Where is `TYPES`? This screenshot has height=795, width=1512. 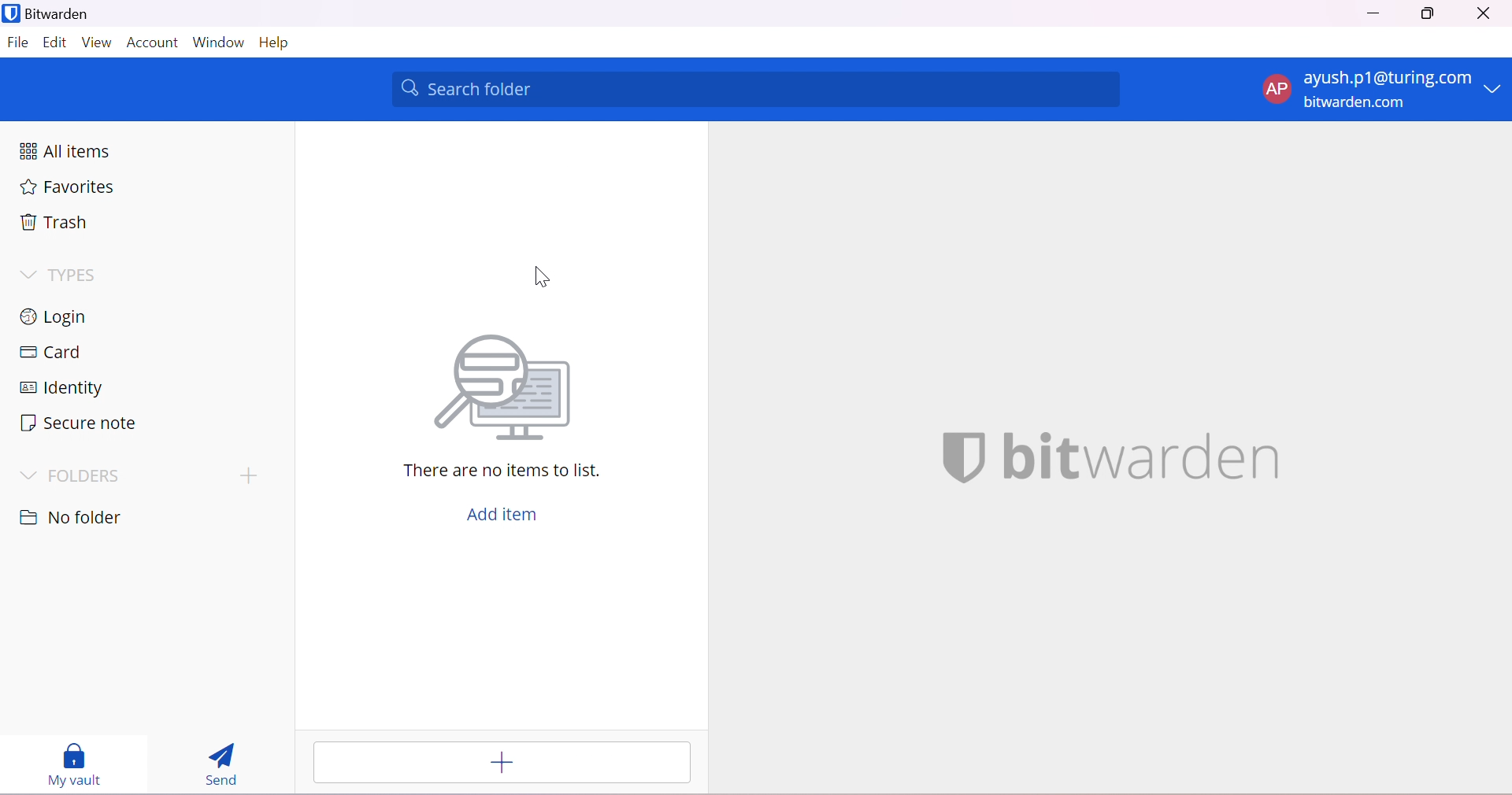
TYPES is located at coordinates (78, 276).